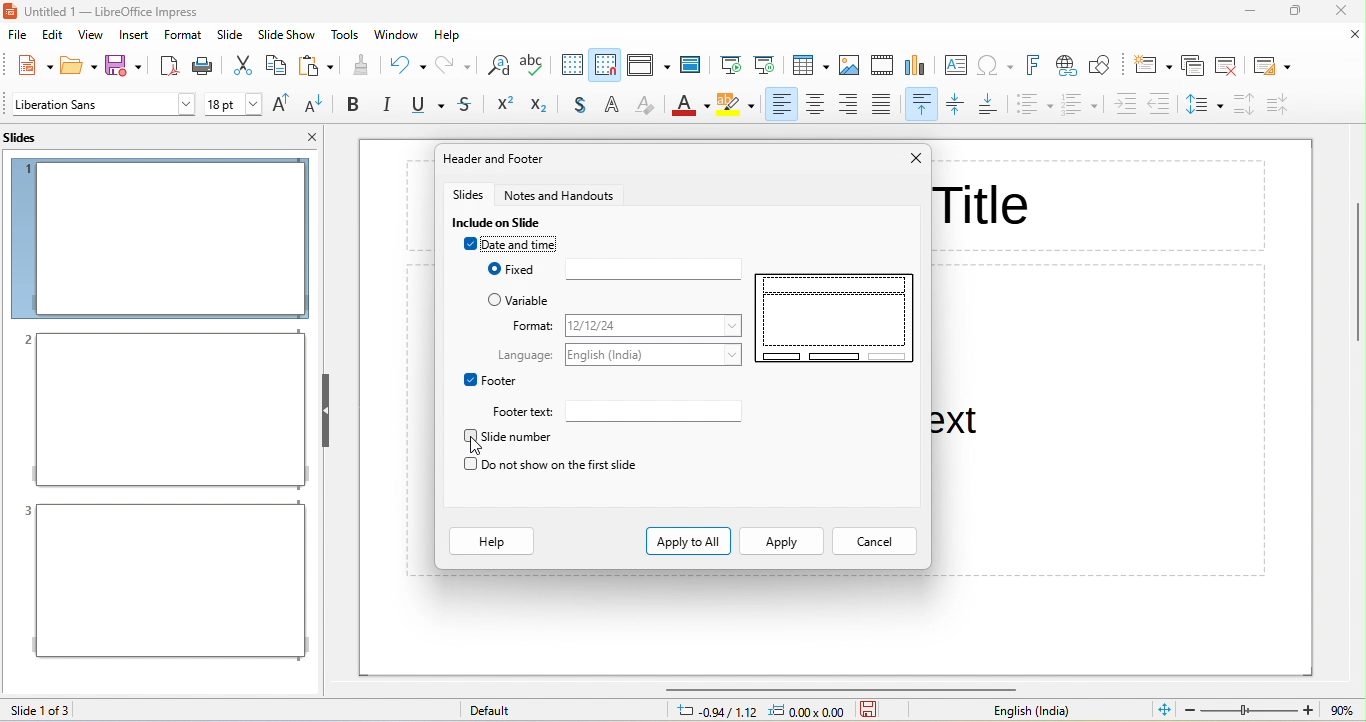  What do you see at coordinates (128, 12) in the screenshot?
I see `title` at bounding box center [128, 12].